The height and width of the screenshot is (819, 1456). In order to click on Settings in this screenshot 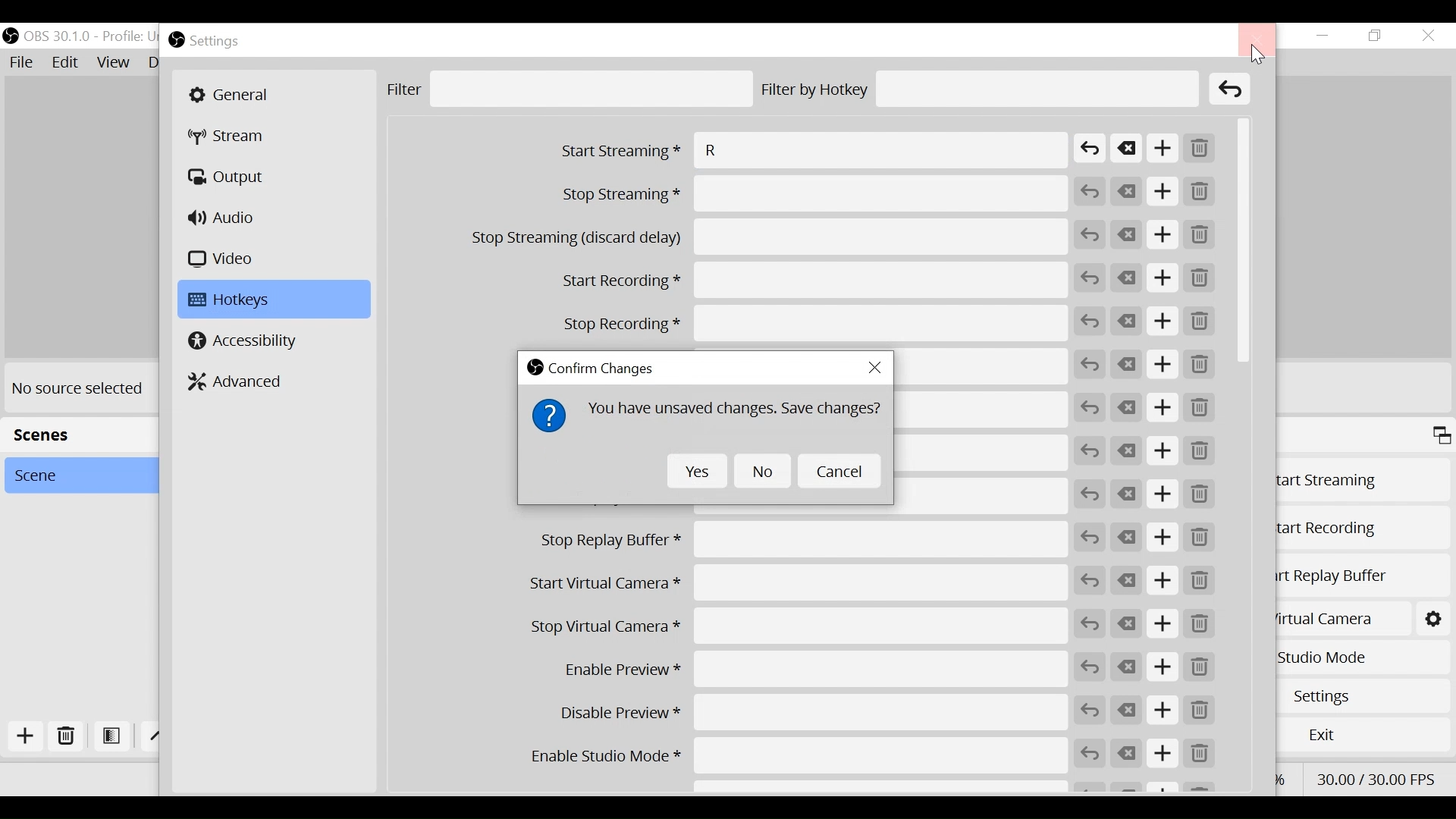, I will do `click(220, 39)`.